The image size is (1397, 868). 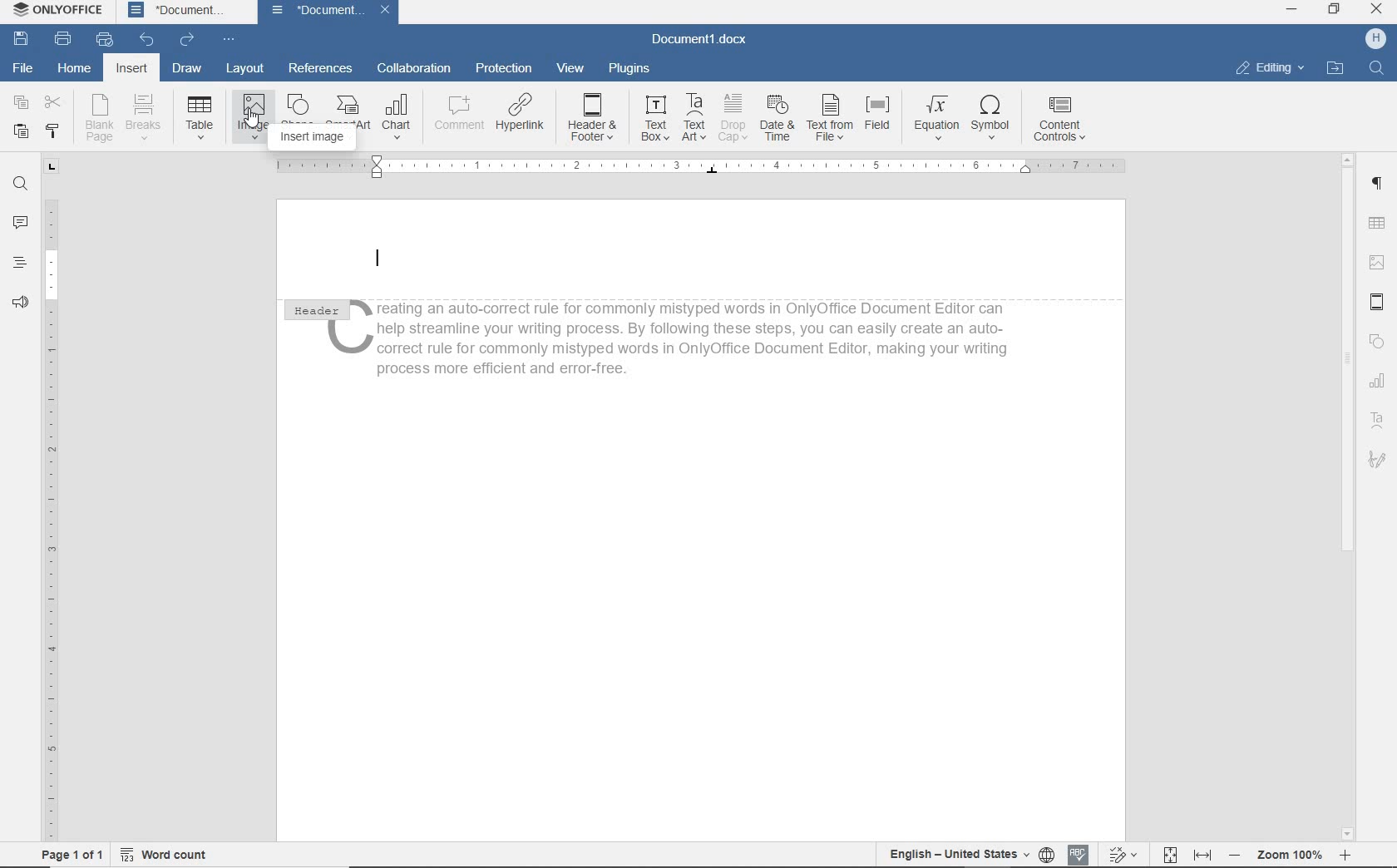 I want to click on Zoom, so click(x=1287, y=856).